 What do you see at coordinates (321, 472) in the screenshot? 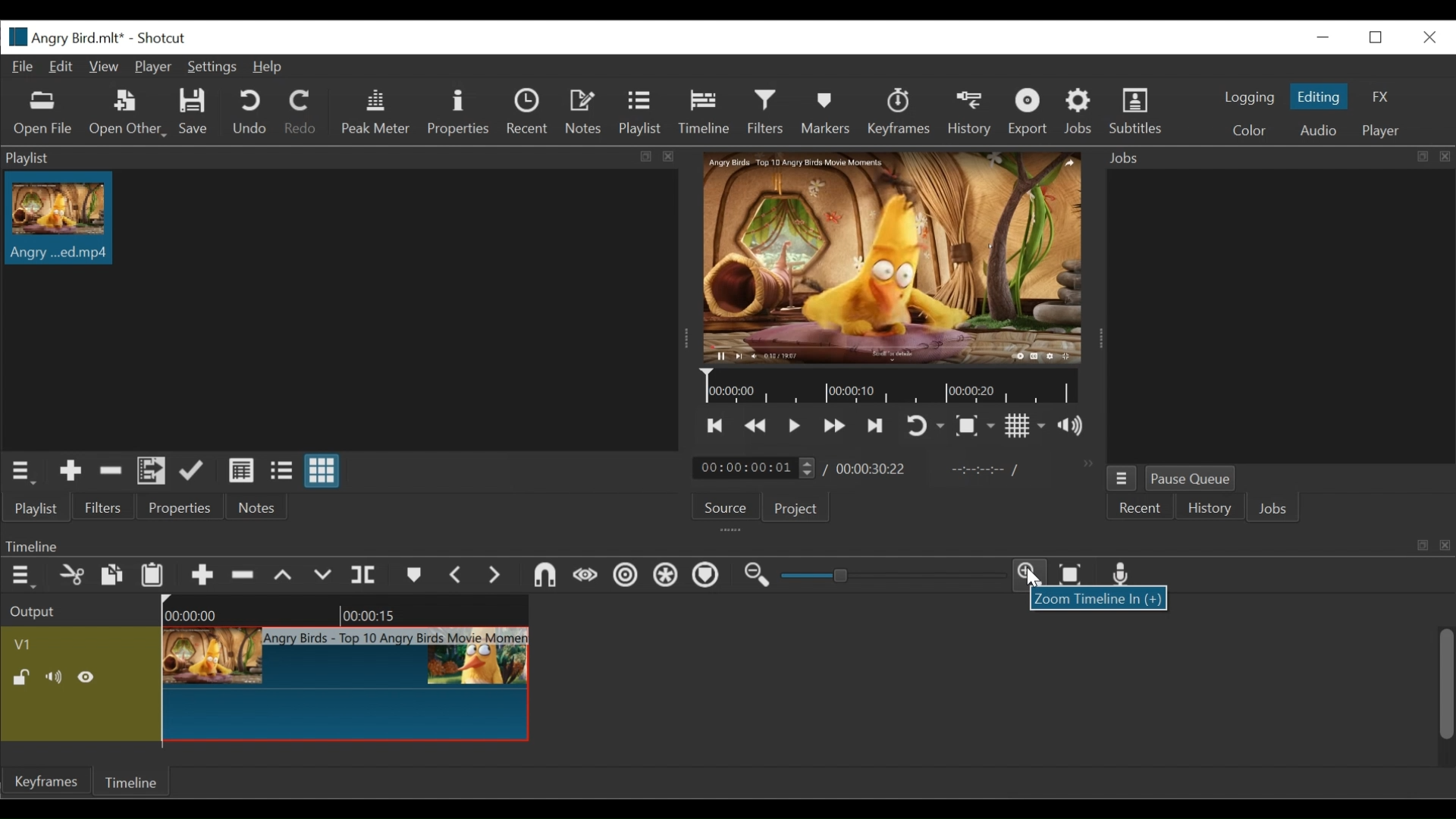
I see `View as icons` at bounding box center [321, 472].